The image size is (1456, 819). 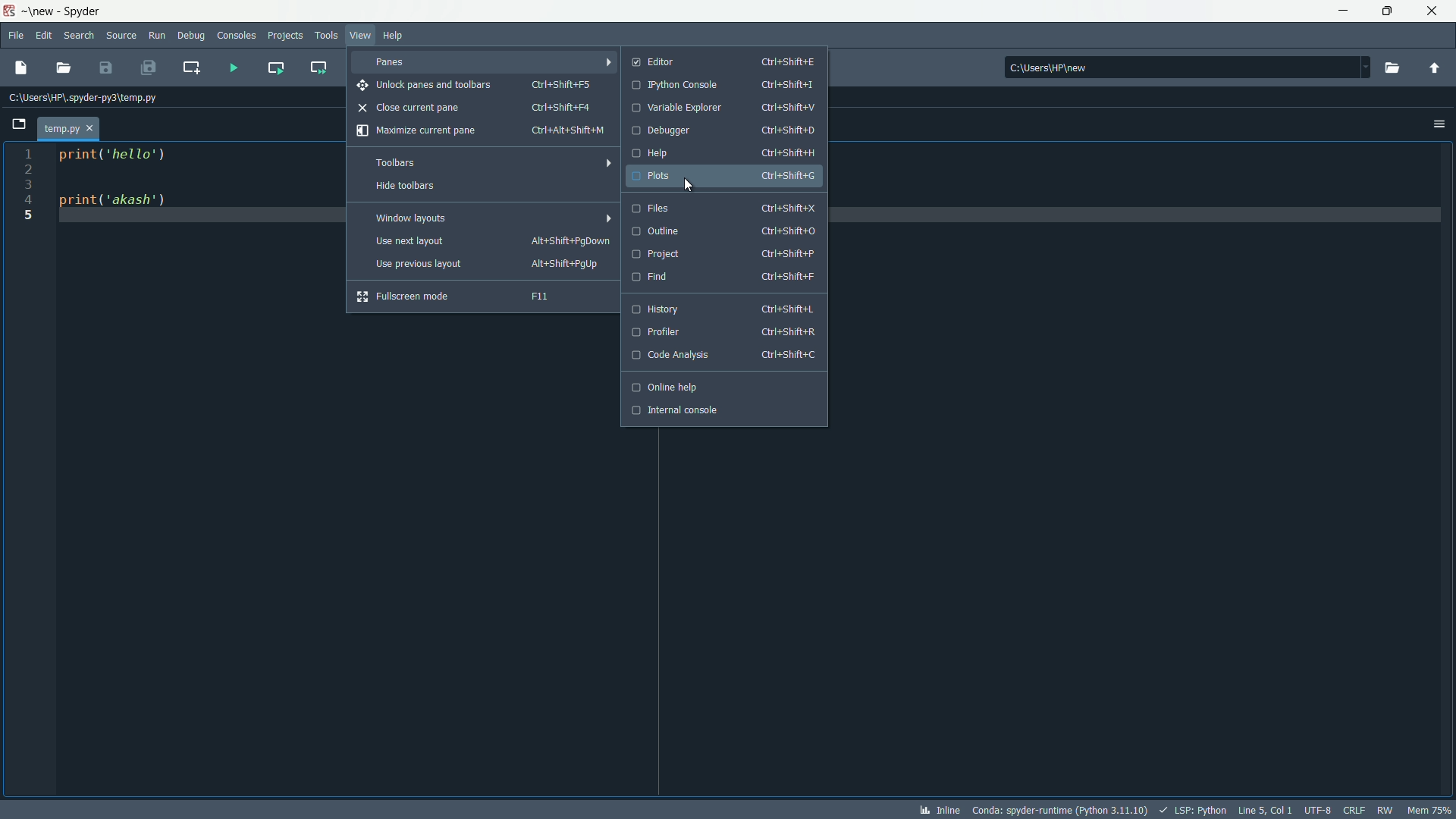 What do you see at coordinates (11, 11) in the screenshot?
I see `app icon` at bounding box center [11, 11].